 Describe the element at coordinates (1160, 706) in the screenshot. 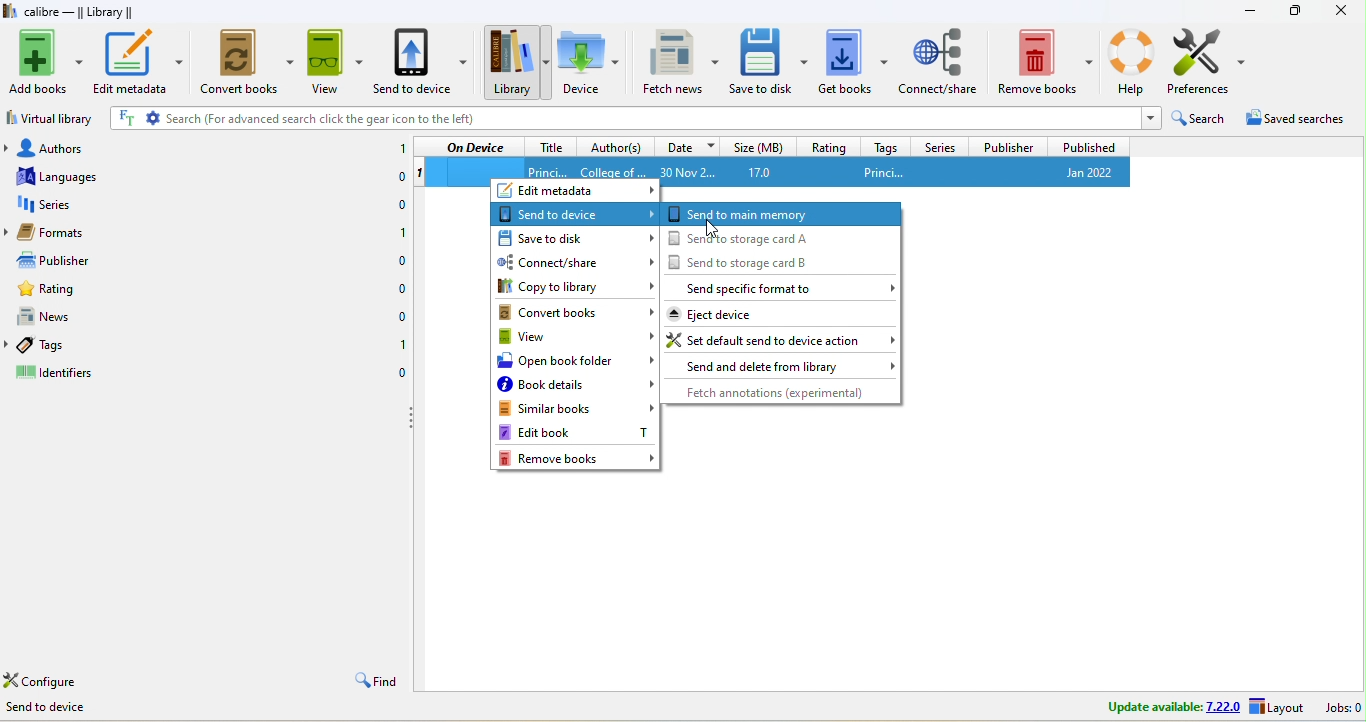

I see `update avalable 7.22.0` at that location.